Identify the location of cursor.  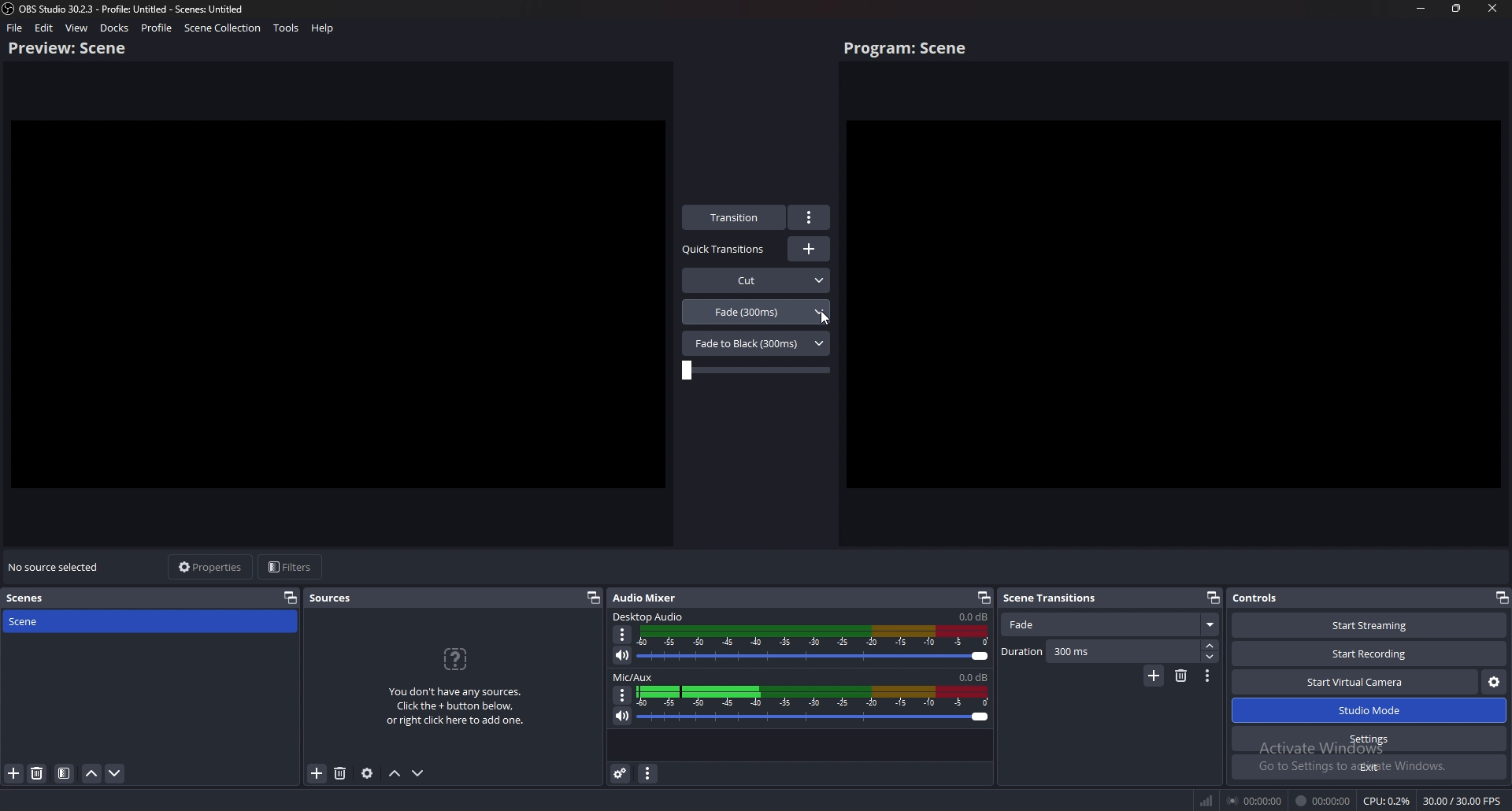
(823, 319).